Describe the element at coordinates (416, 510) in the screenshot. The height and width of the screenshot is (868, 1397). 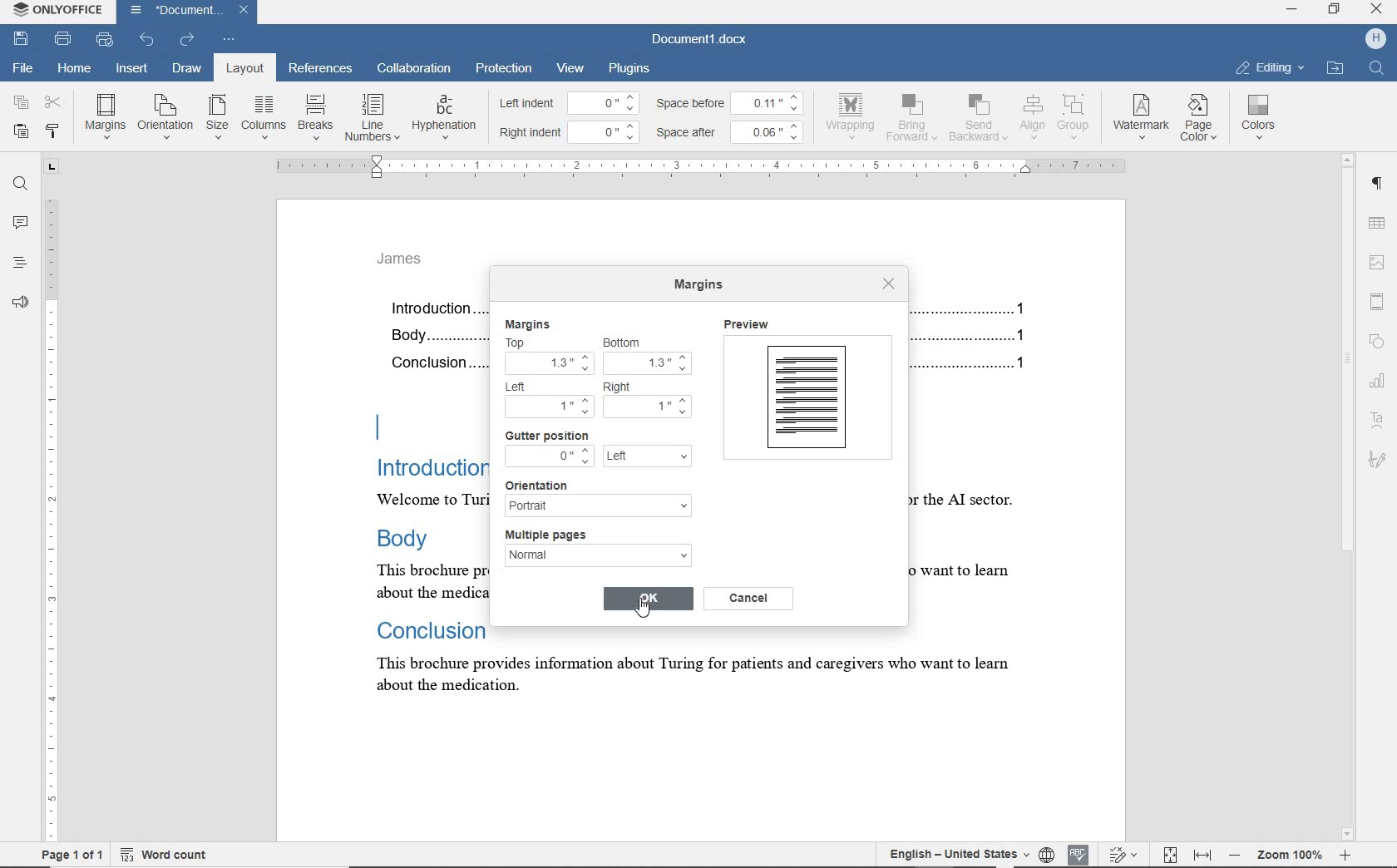
I see `text` at that location.